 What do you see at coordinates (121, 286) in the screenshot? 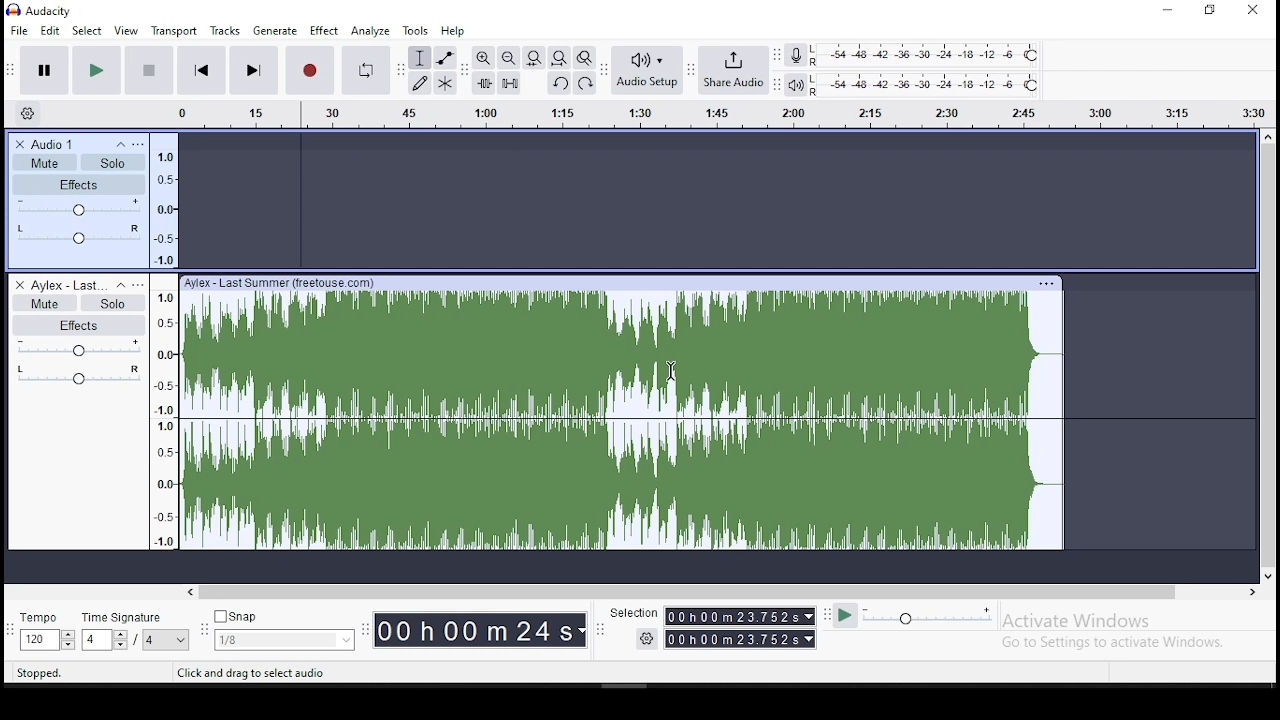
I see `collapse` at bounding box center [121, 286].